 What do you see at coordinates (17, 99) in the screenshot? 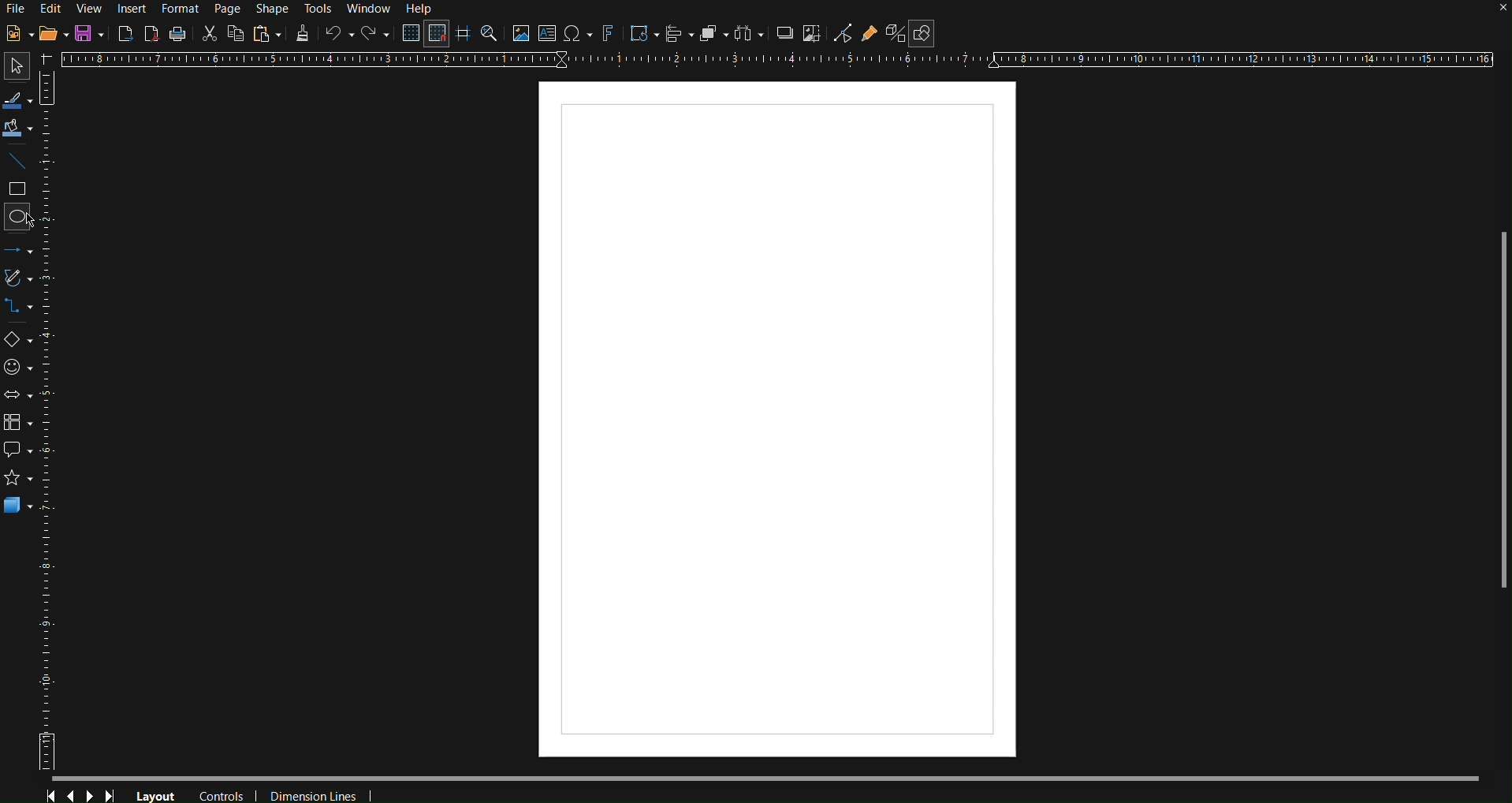
I see `Line Color` at bounding box center [17, 99].